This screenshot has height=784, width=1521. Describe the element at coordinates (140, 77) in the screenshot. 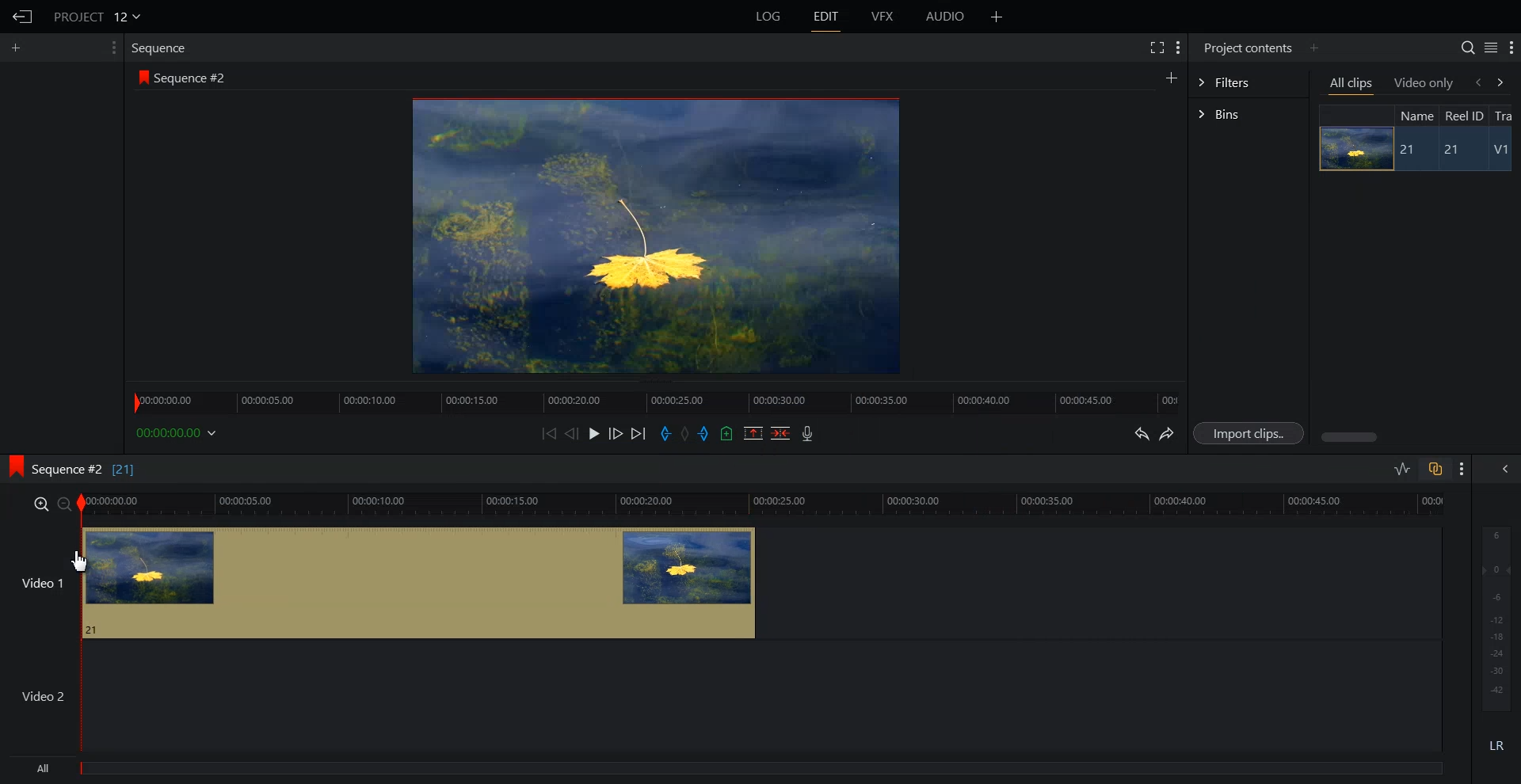

I see `logo` at that location.